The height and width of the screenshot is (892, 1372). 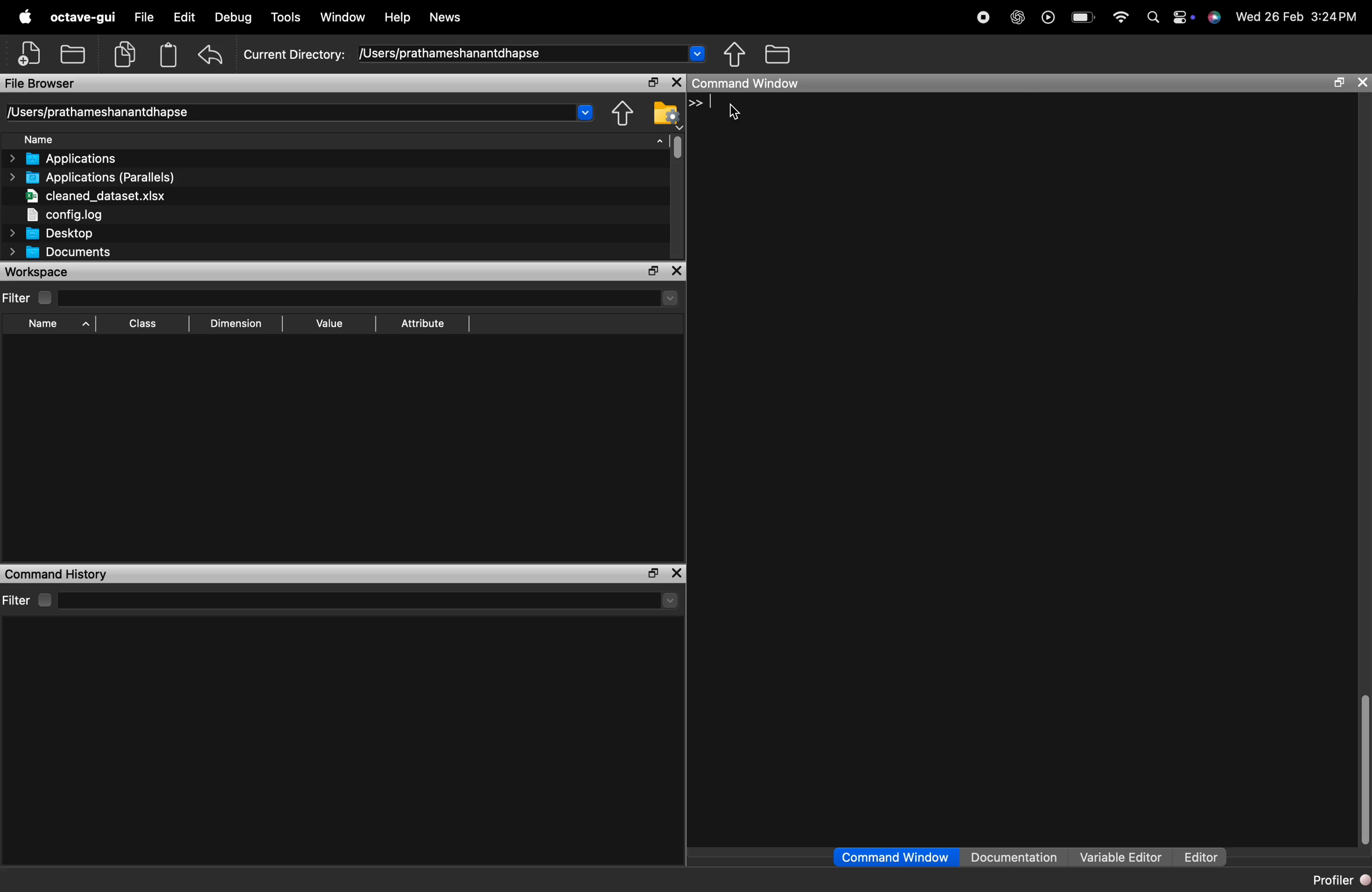 What do you see at coordinates (669, 297) in the screenshot?
I see `drop down` at bounding box center [669, 297].